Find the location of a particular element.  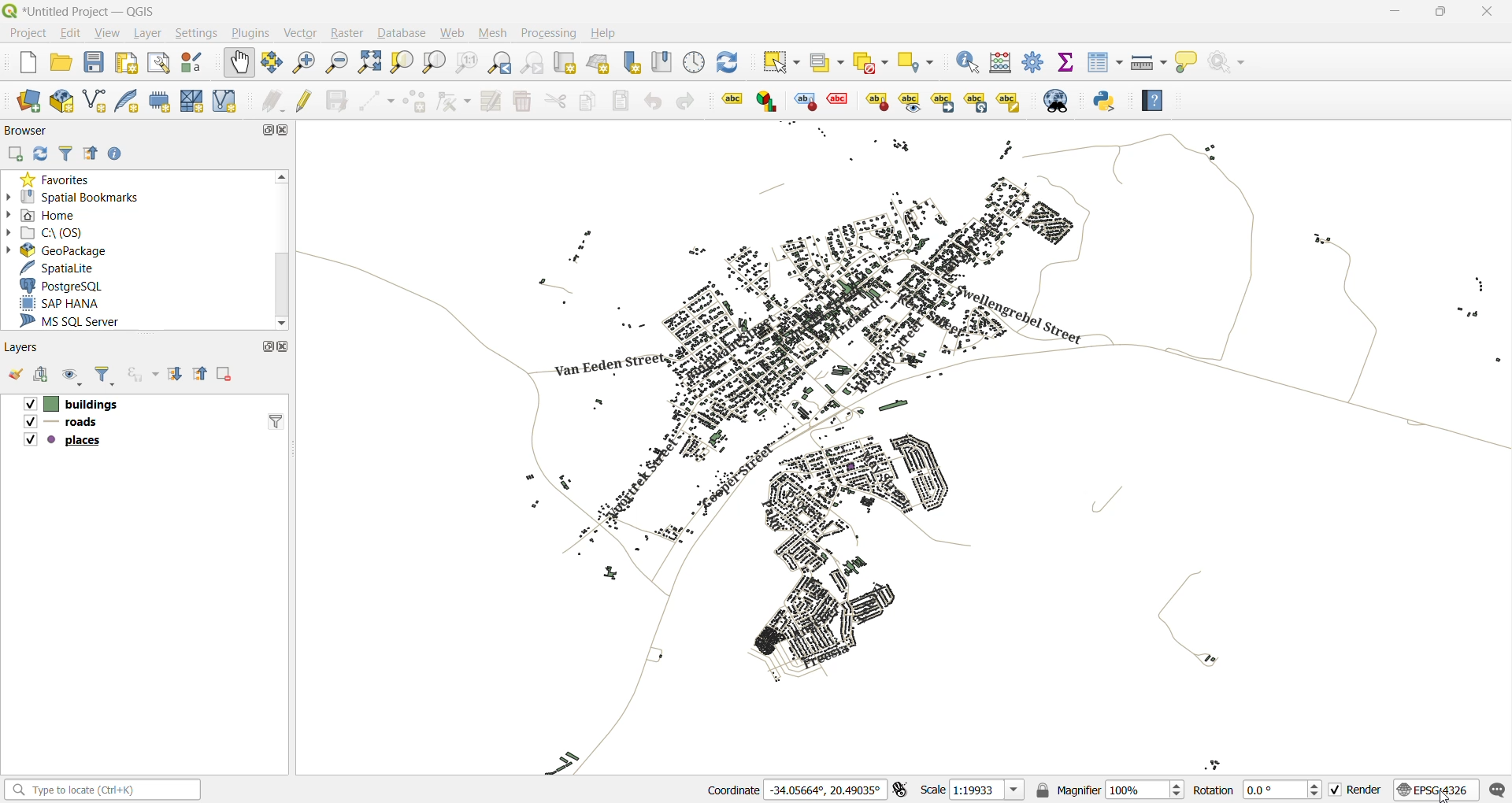

magnifier is located at coordinates (1110, 788).